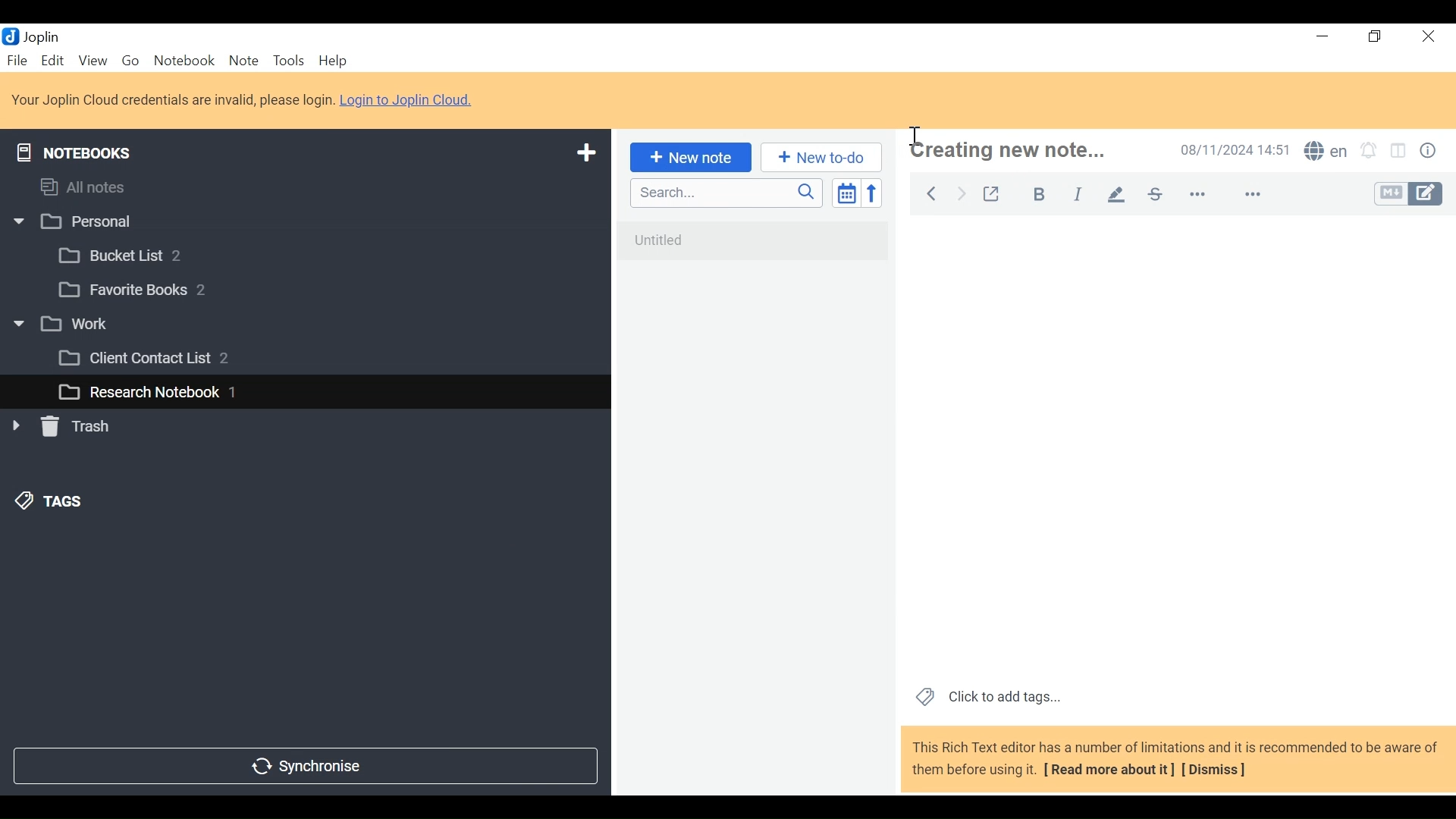 The width and height of the screenshot is (1456, 819). Describe the element at coordinates (130, 59) in the screenshot. I see `Go` at that location.